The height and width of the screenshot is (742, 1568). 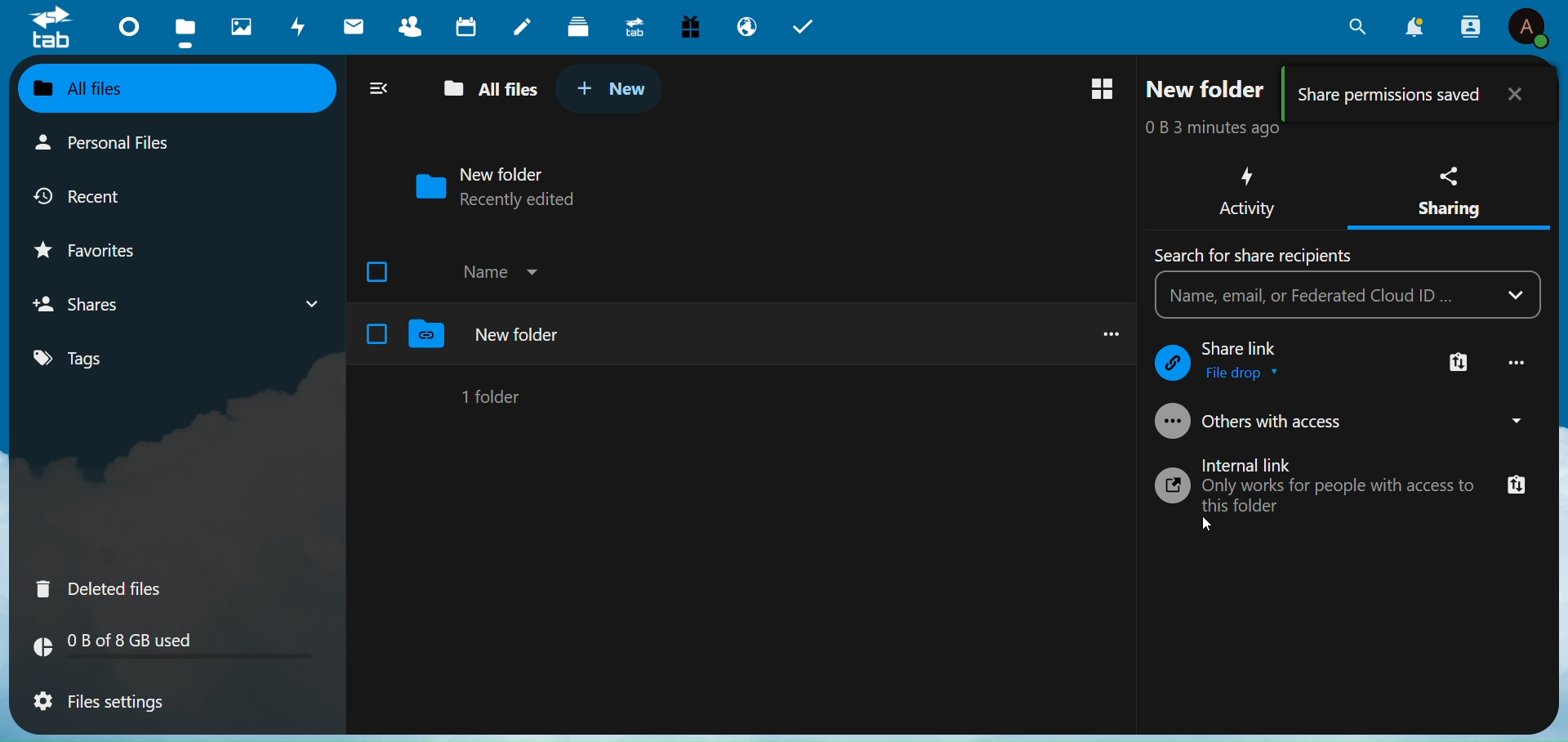 What do you see at coordinates (519, 334) in the screenshot?
I see `New Folder` at bounding box center [519, 334].